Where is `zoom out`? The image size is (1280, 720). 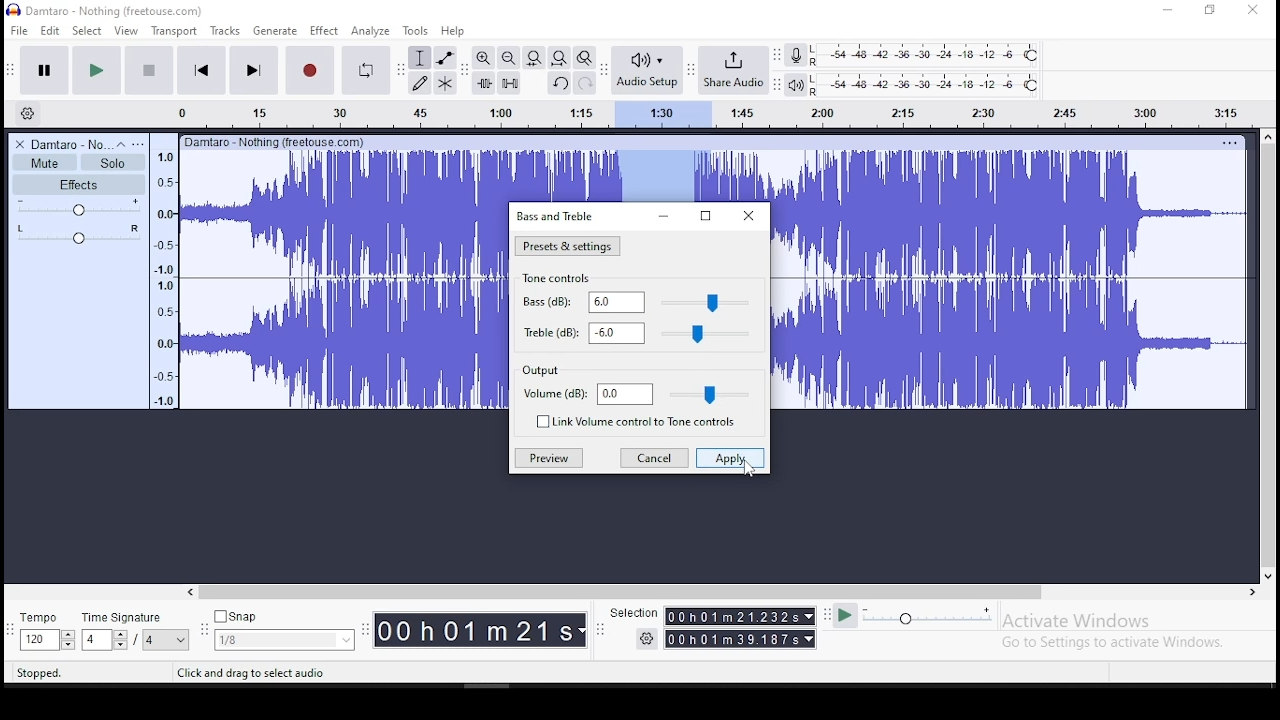 zoom out is located at coordinates (508, 57).